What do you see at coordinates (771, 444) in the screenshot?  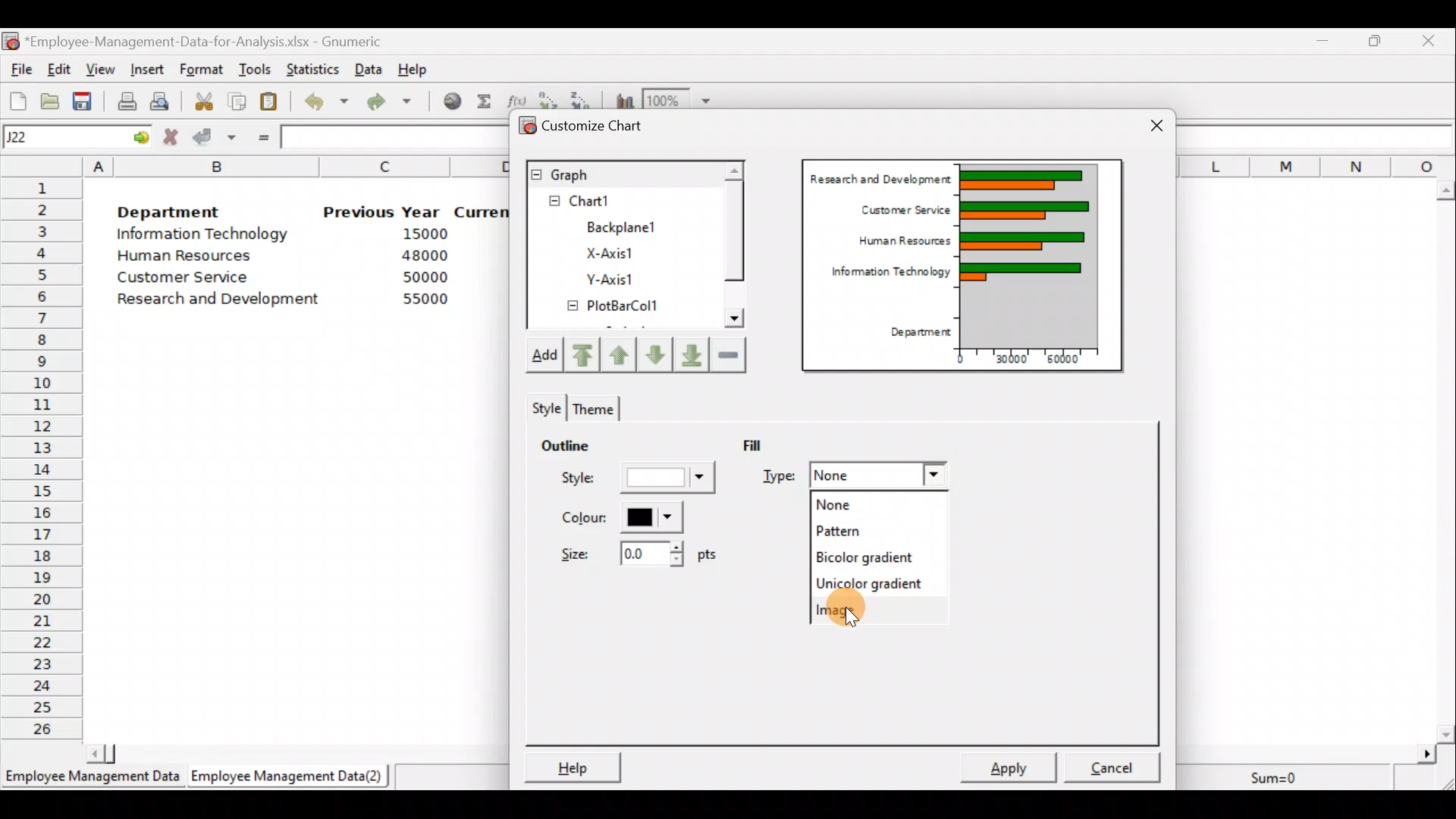 I see `Fill` at bounding box center [771, 444].